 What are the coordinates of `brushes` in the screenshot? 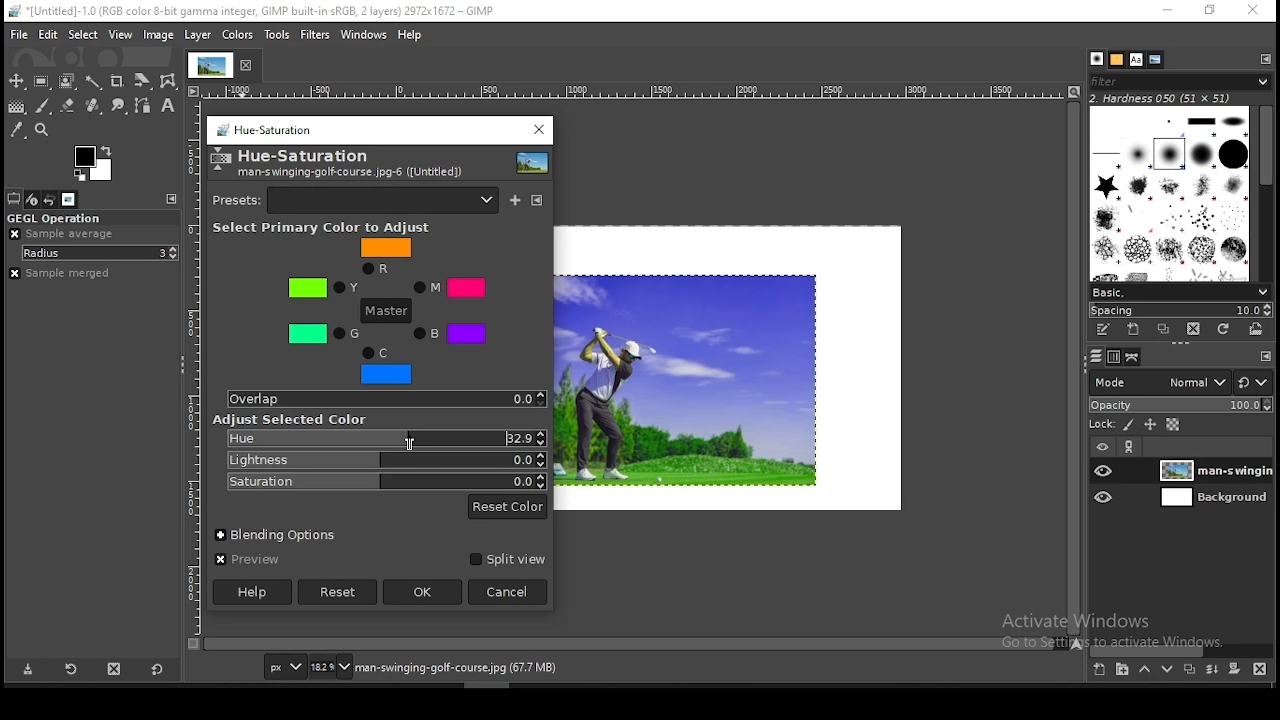 It's located at (1095, 58).